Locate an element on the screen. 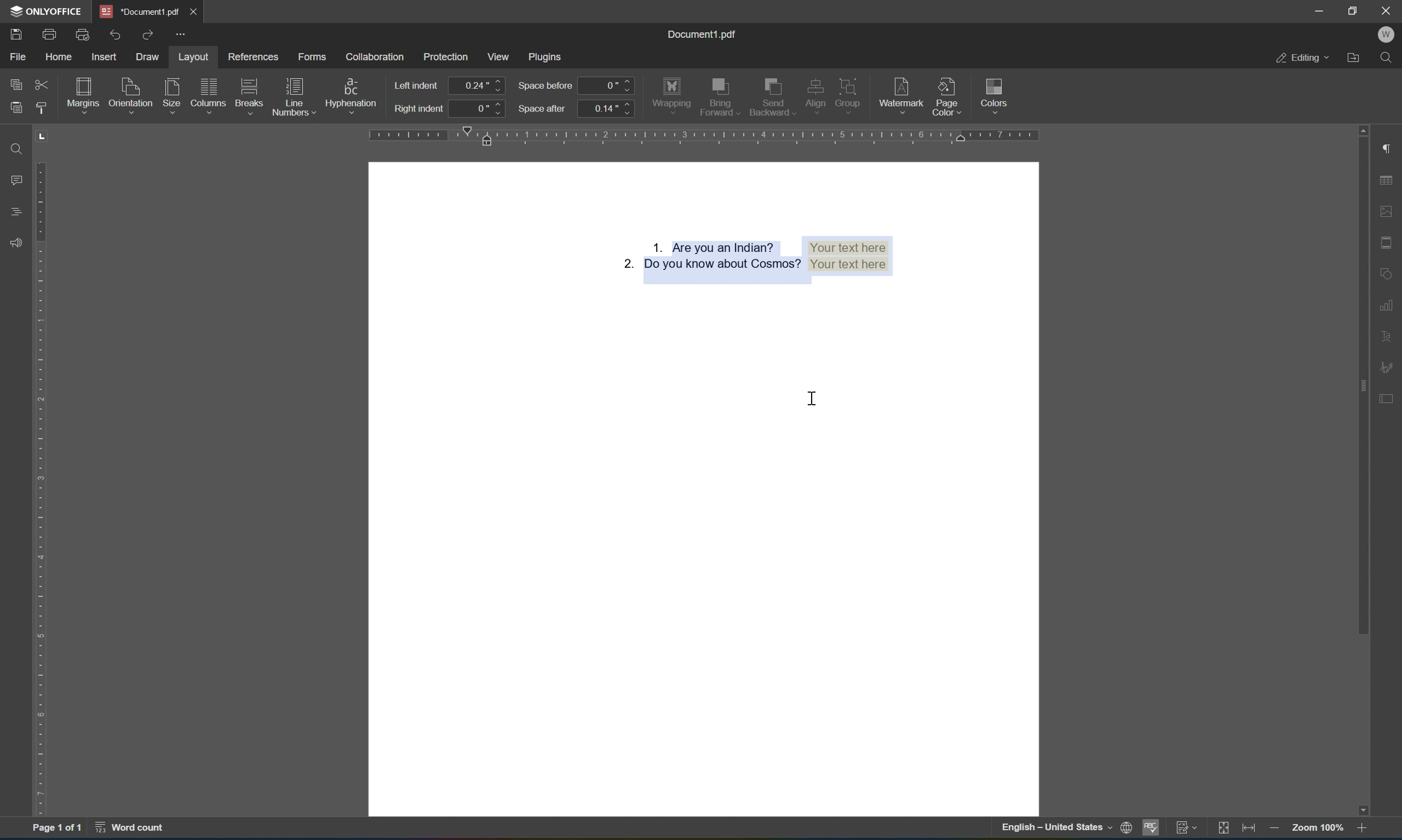 The height and width of the screenshot is (840, 1402). Feedback & support is located at coordinates (16, 242).